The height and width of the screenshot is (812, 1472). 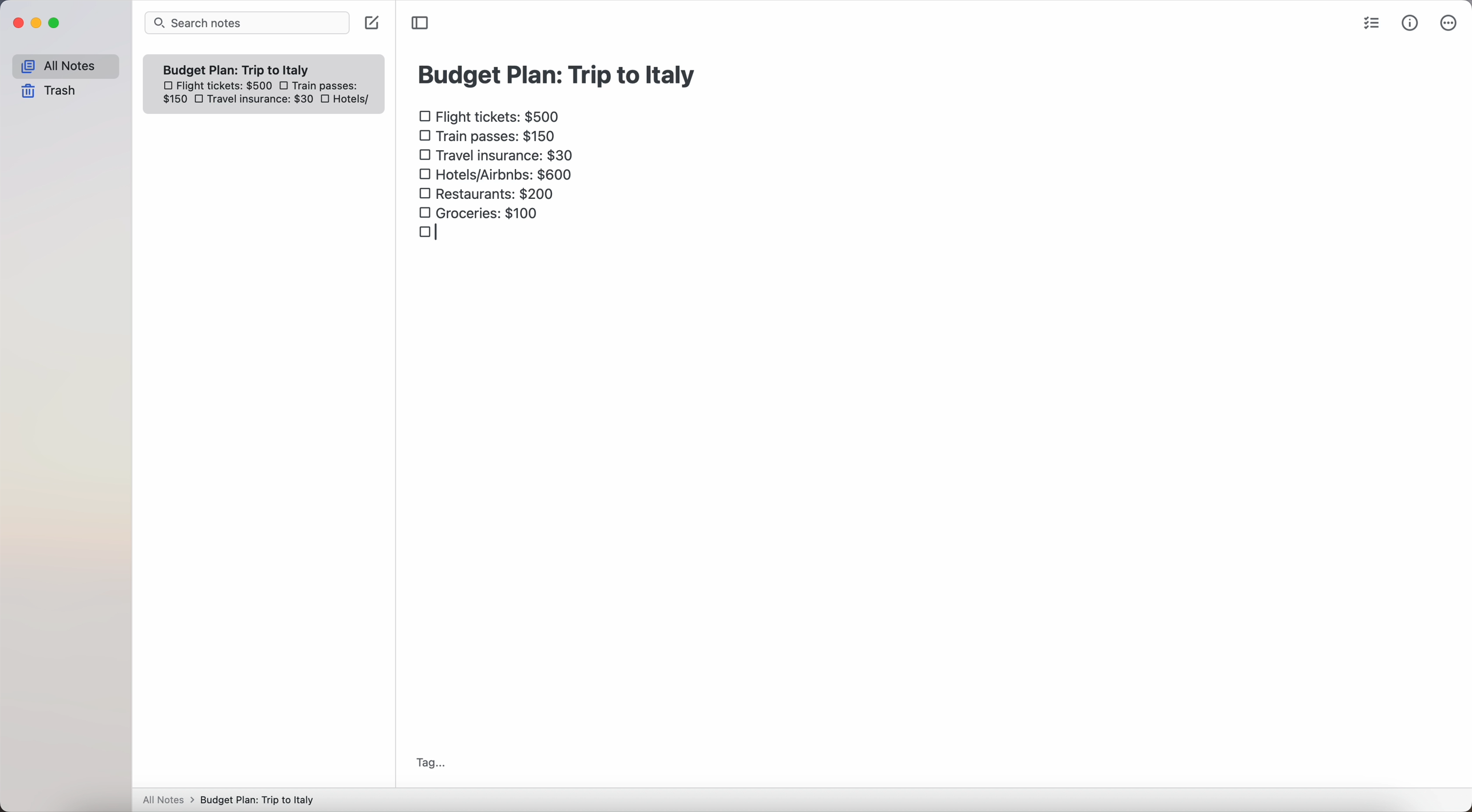 What do you see at coordinates (174, 101) in the screenshot?
I see `150` at bounding box center [174, 101].